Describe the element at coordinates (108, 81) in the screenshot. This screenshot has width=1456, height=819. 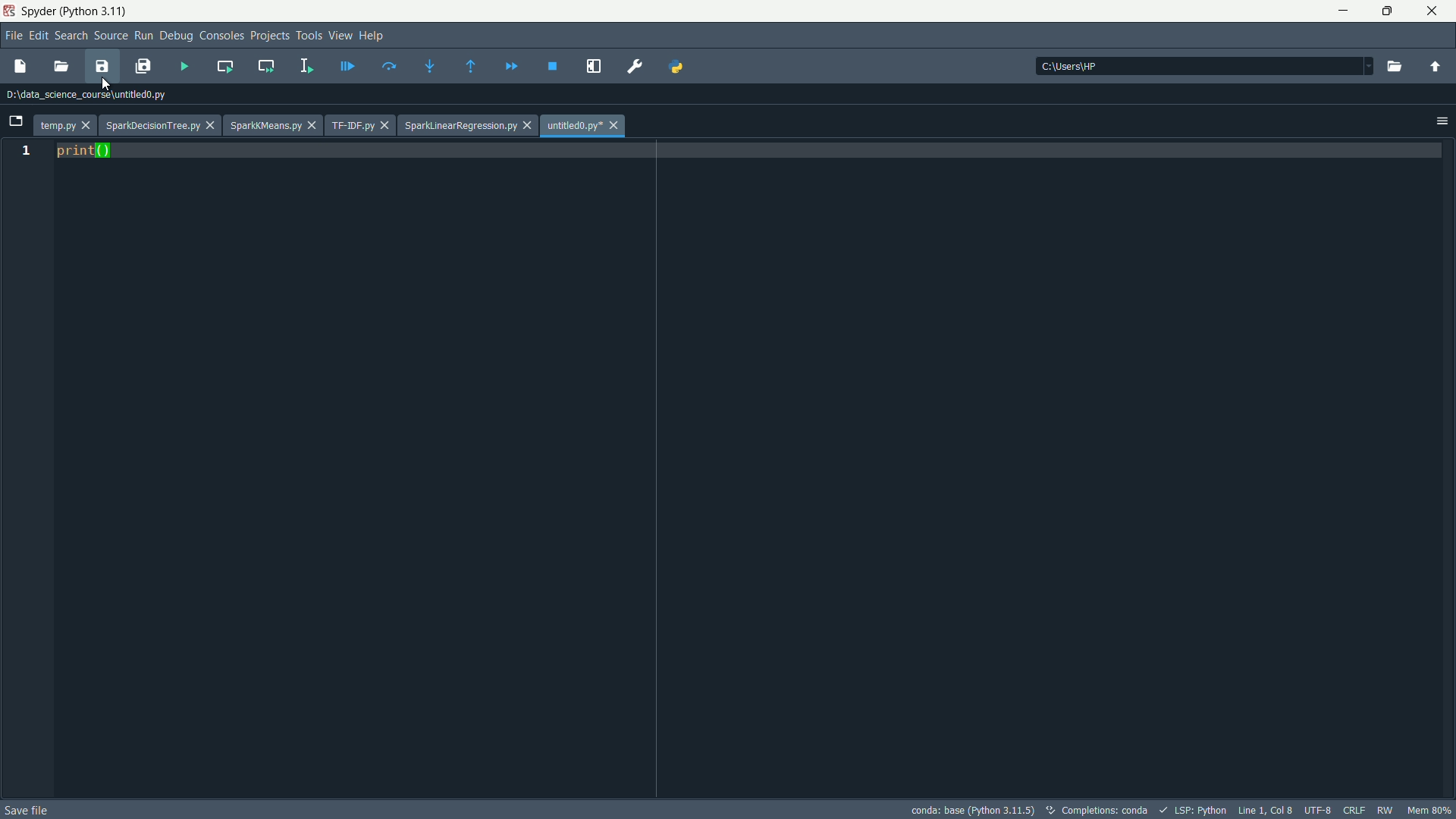
I see `Cursor` at that location.